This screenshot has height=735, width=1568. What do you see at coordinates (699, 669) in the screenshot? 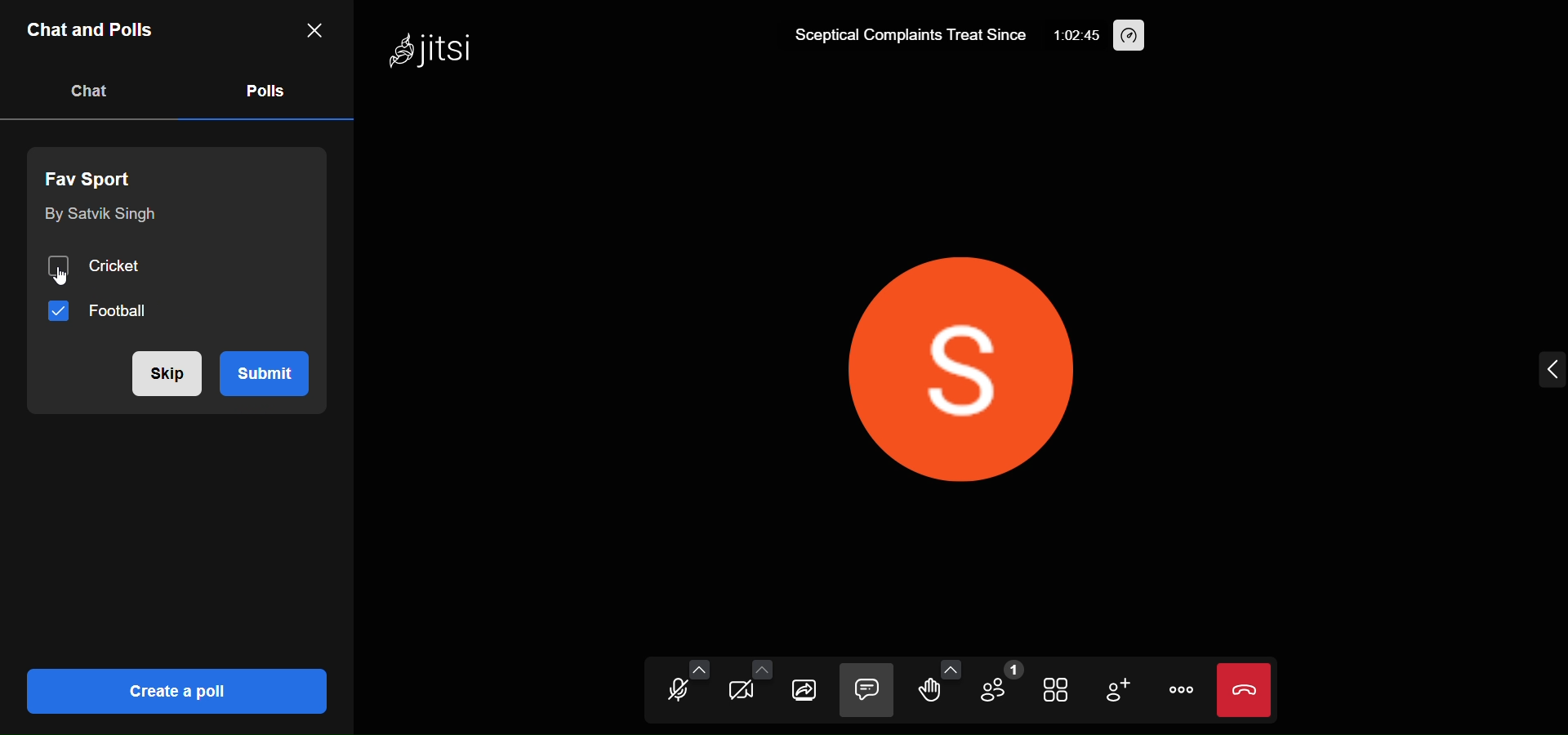
I see `more audio option` at bounding box center [699, 669].